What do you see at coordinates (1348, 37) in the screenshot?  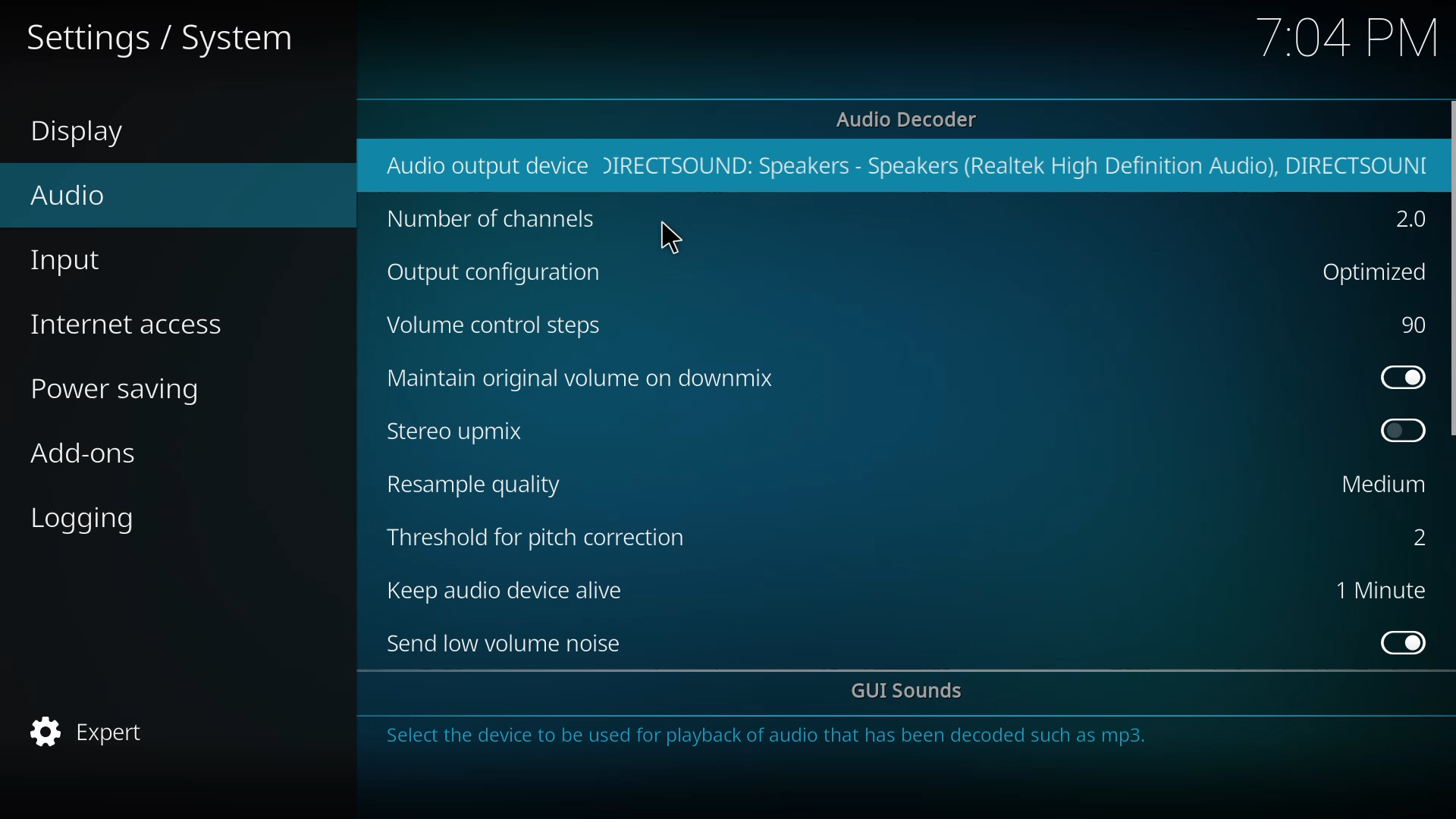 I see `time` at bounding box center [1348, 37].